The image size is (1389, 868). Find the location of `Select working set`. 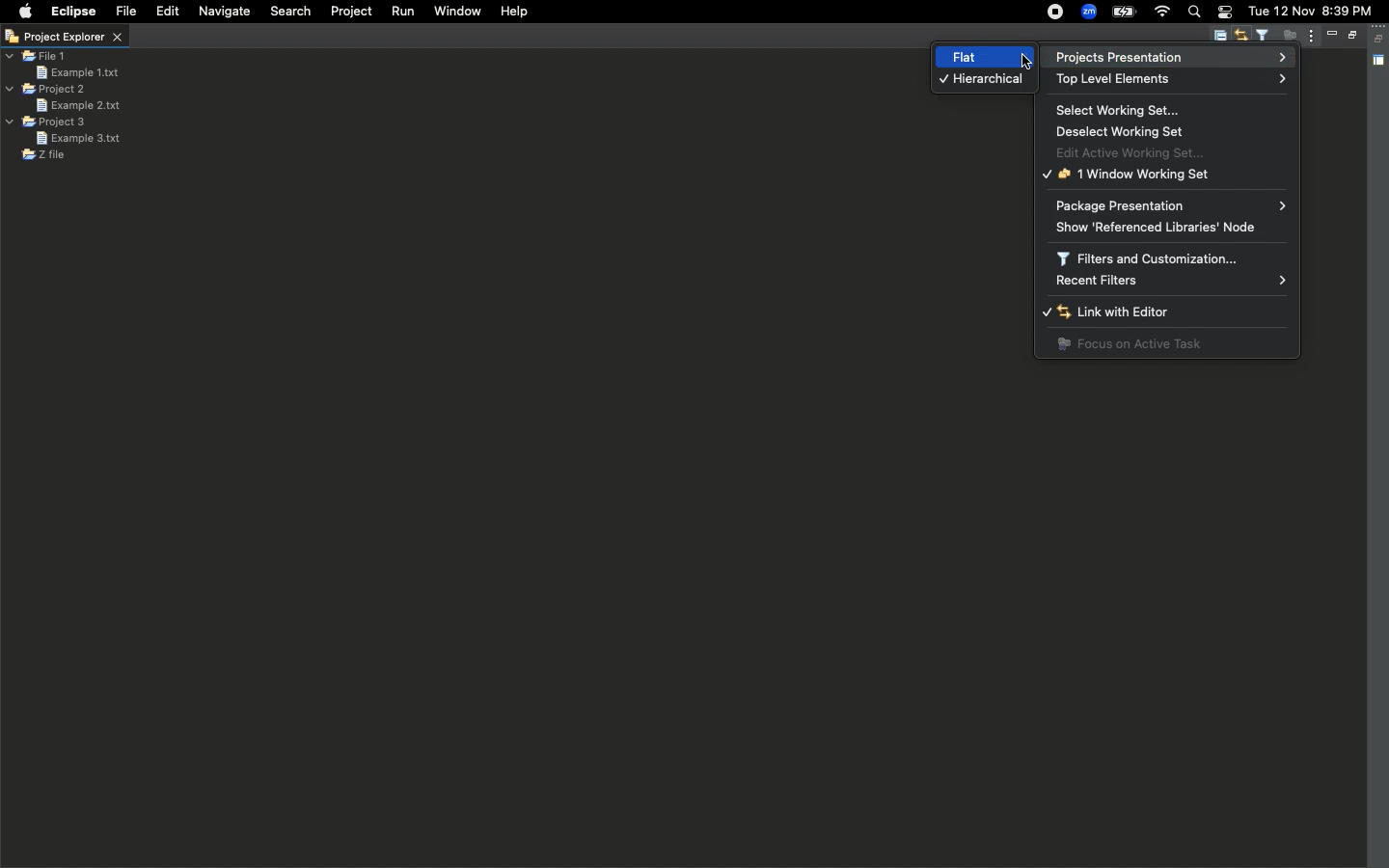

Select working set is located at coordinates (1122, 110).